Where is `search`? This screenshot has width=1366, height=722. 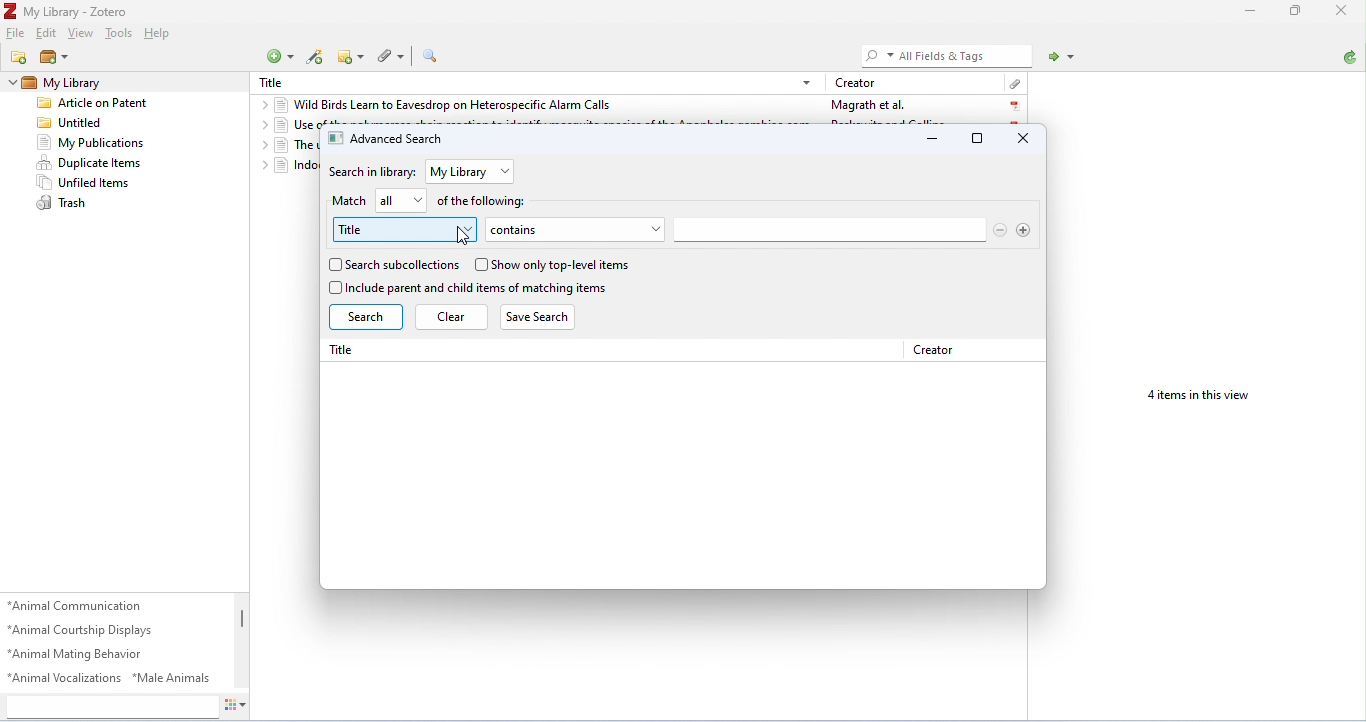
search is located at coordinates (365, 318).